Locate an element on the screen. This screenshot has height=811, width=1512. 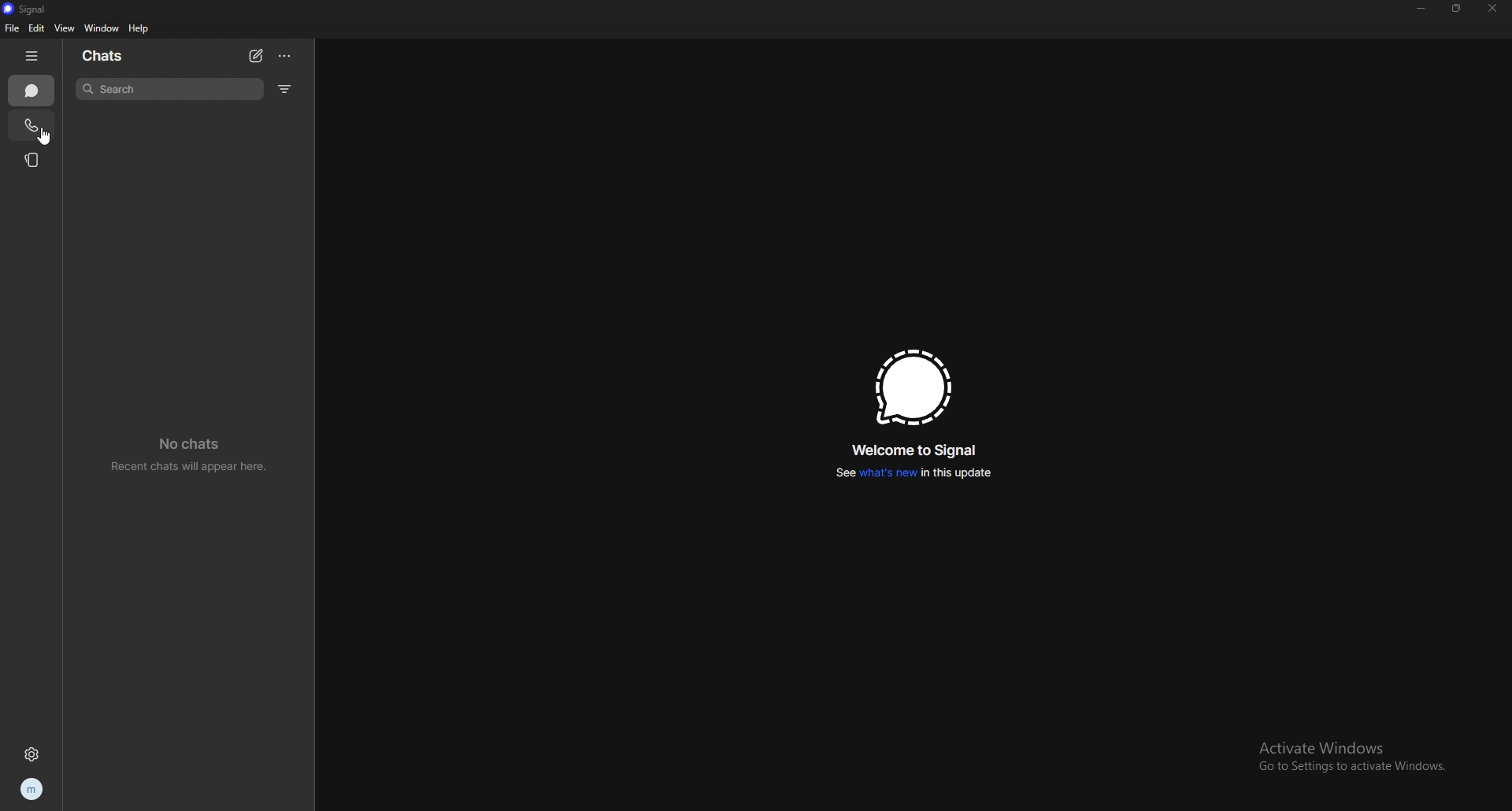
welcome to signal is located at coordinates (917, 449).